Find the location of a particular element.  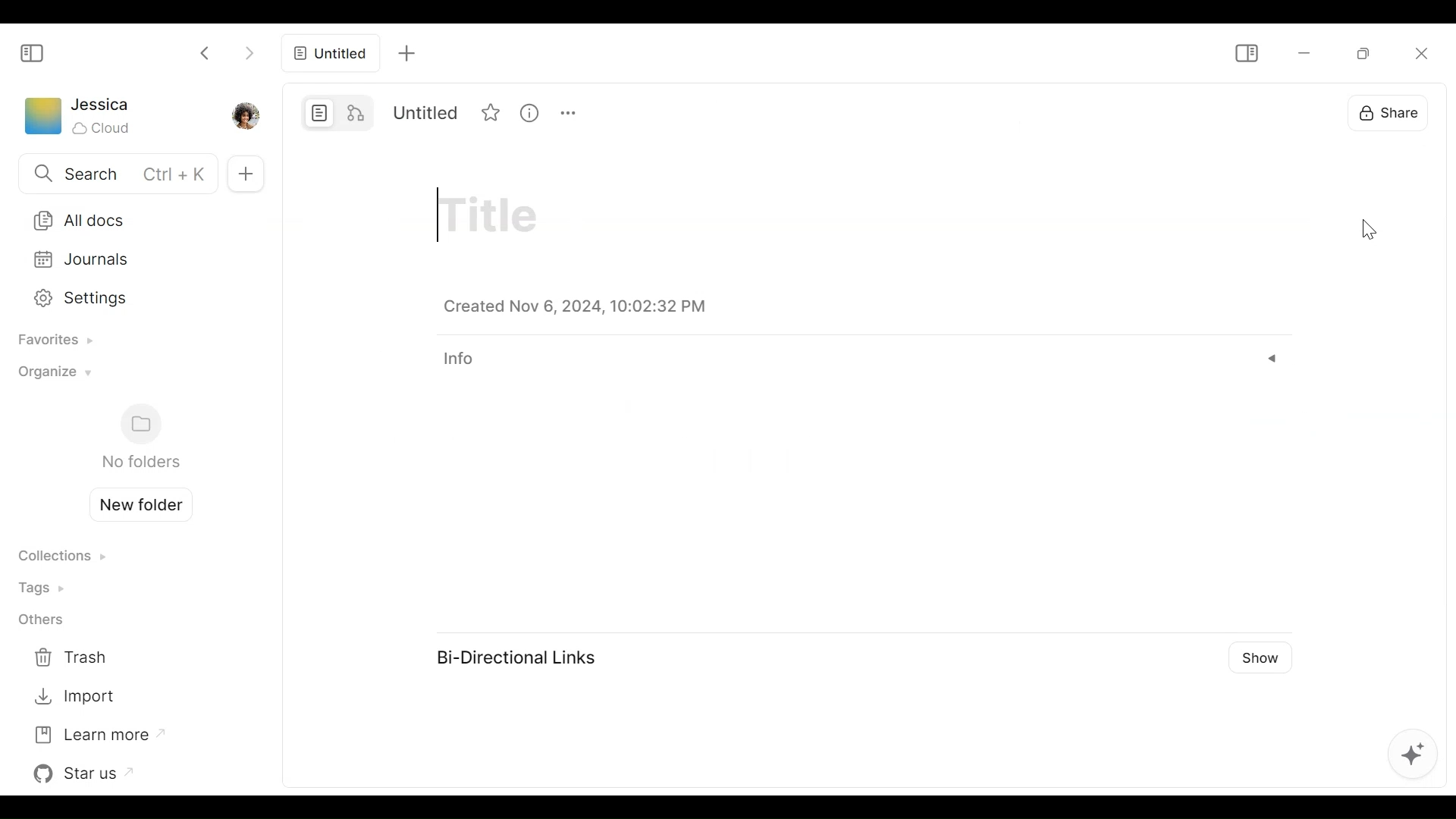

Current tab is located at coordinates (330, 57).